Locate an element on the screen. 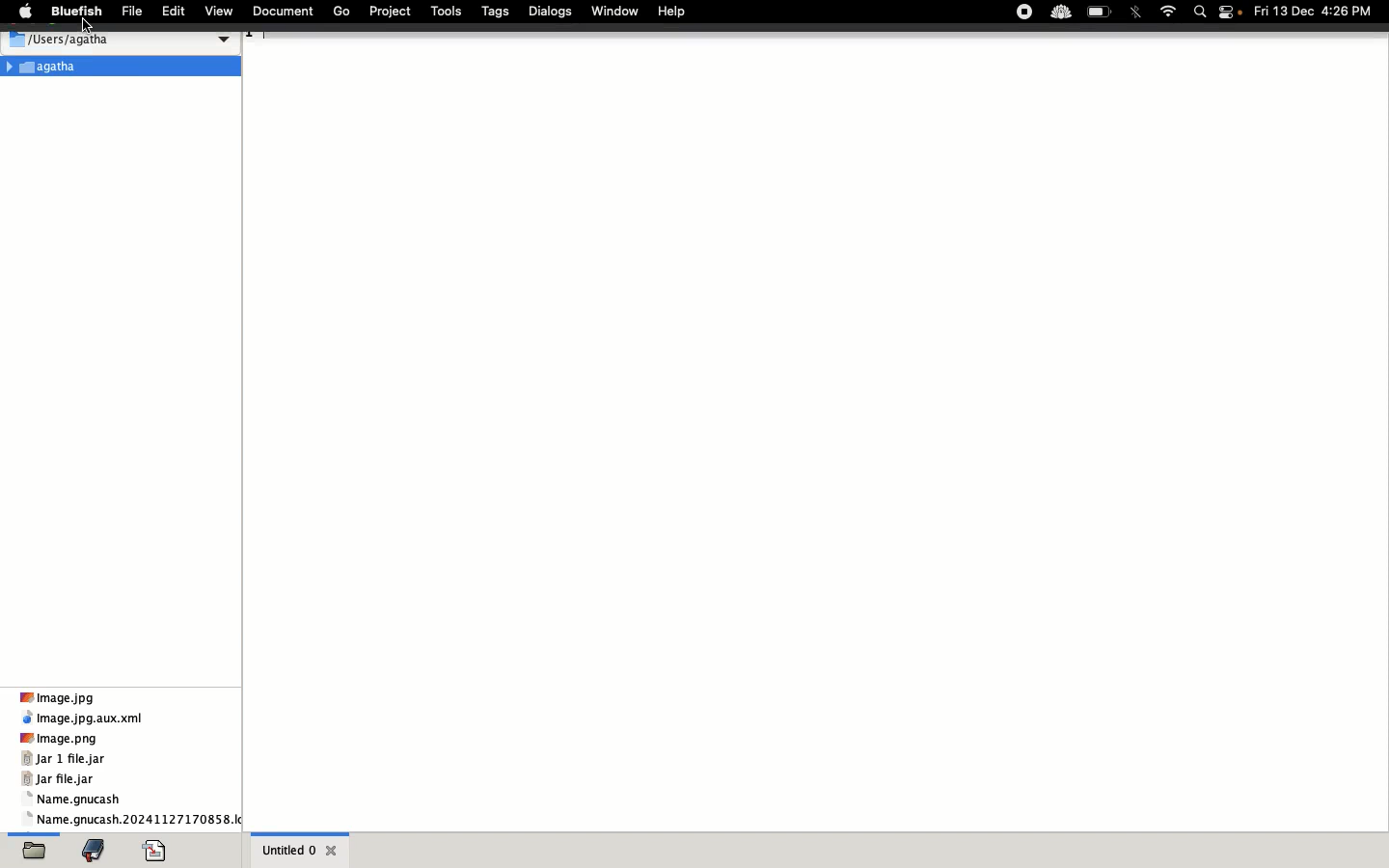 The height and width of the screenshot is (868, 1389). Dialogs is located at coordinates (551, 12).